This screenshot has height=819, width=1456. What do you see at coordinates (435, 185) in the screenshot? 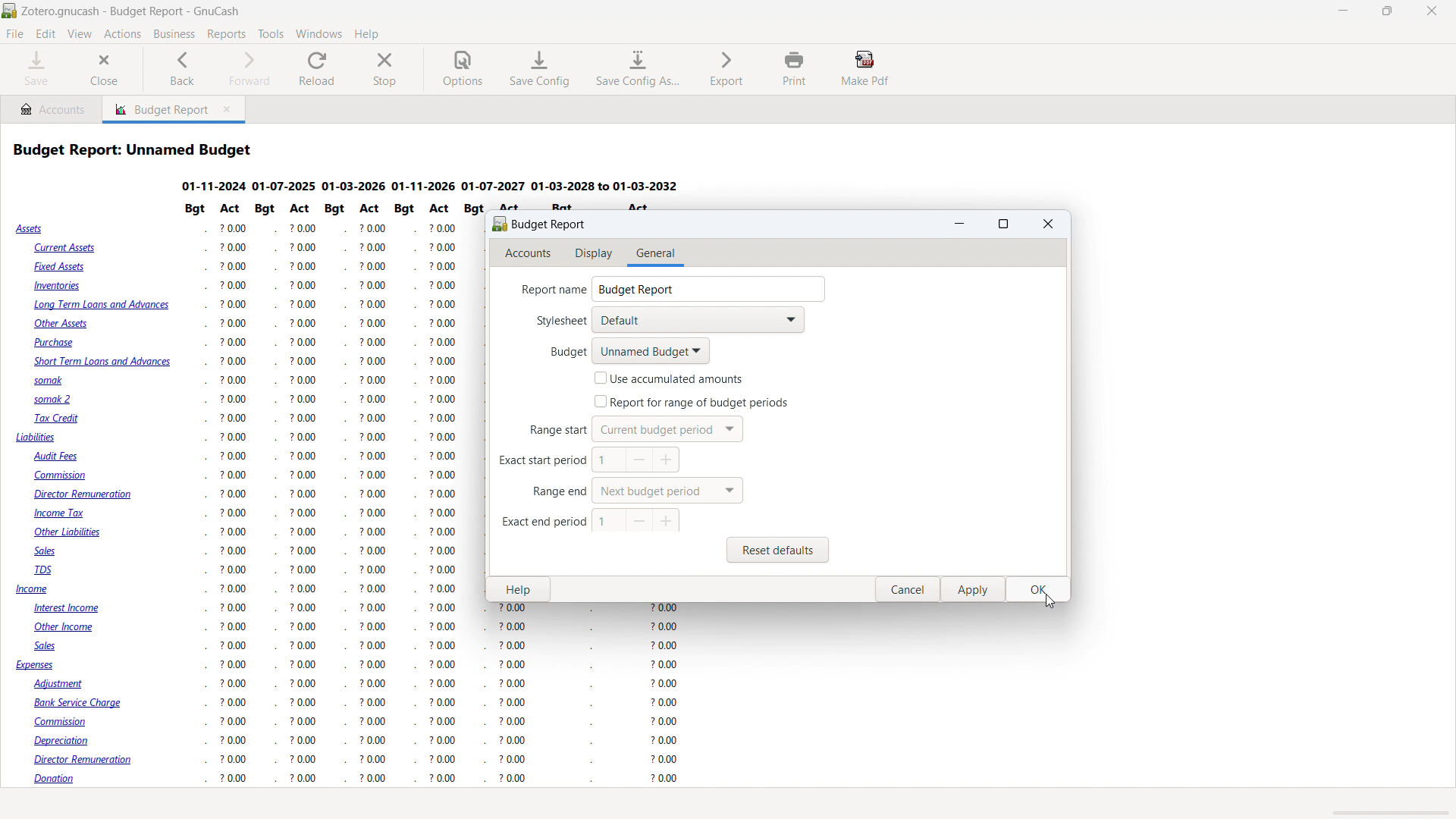
I see `timelines` at bounding box center [435, 185].